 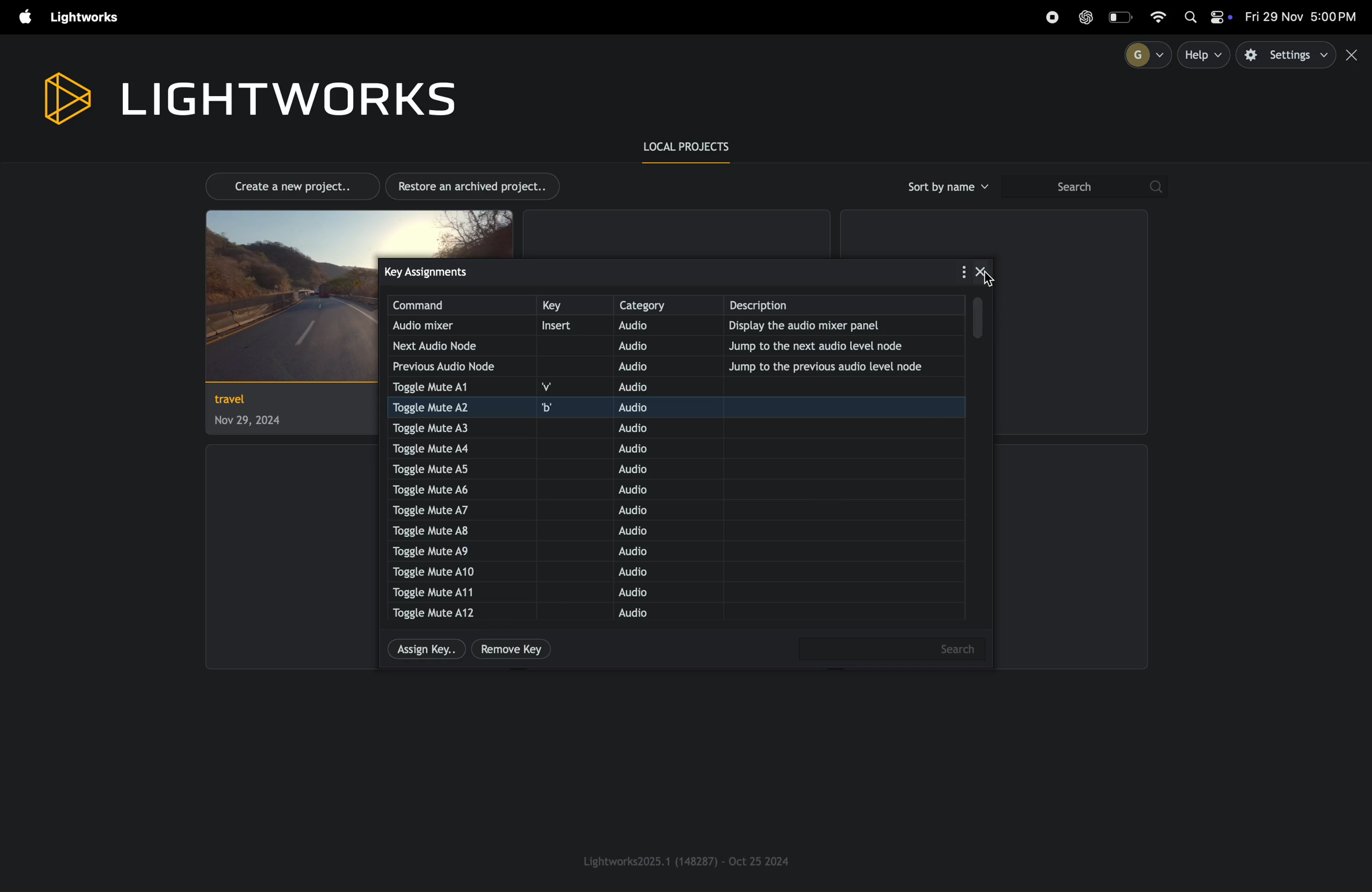 What do you see at coordinates (568, 326) in the screenshot?
I see `insert` at bounding box center [568, 326].